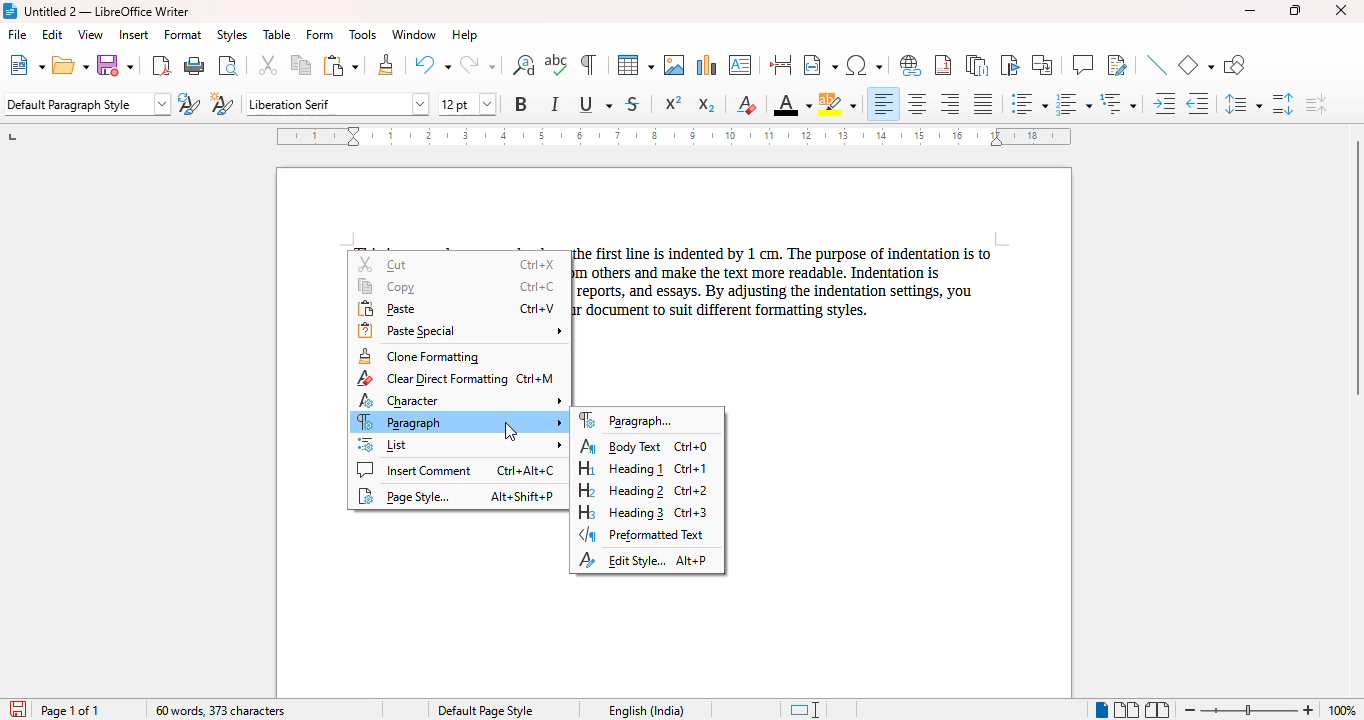  Describe the element at coordinates (9, 11) in the screenshot. I see `logo` at that location.